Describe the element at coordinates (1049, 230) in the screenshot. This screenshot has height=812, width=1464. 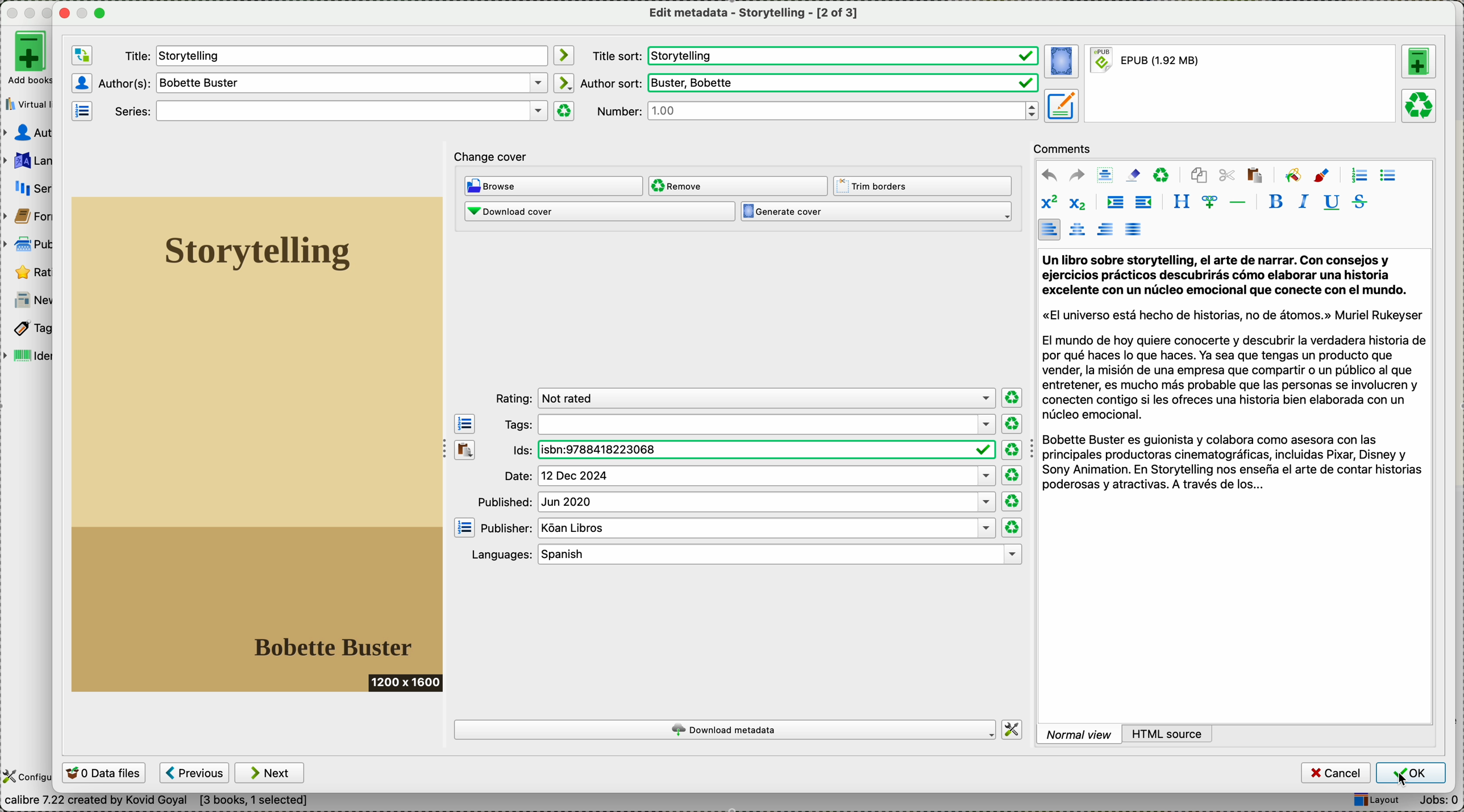
I see `align left` at that location.